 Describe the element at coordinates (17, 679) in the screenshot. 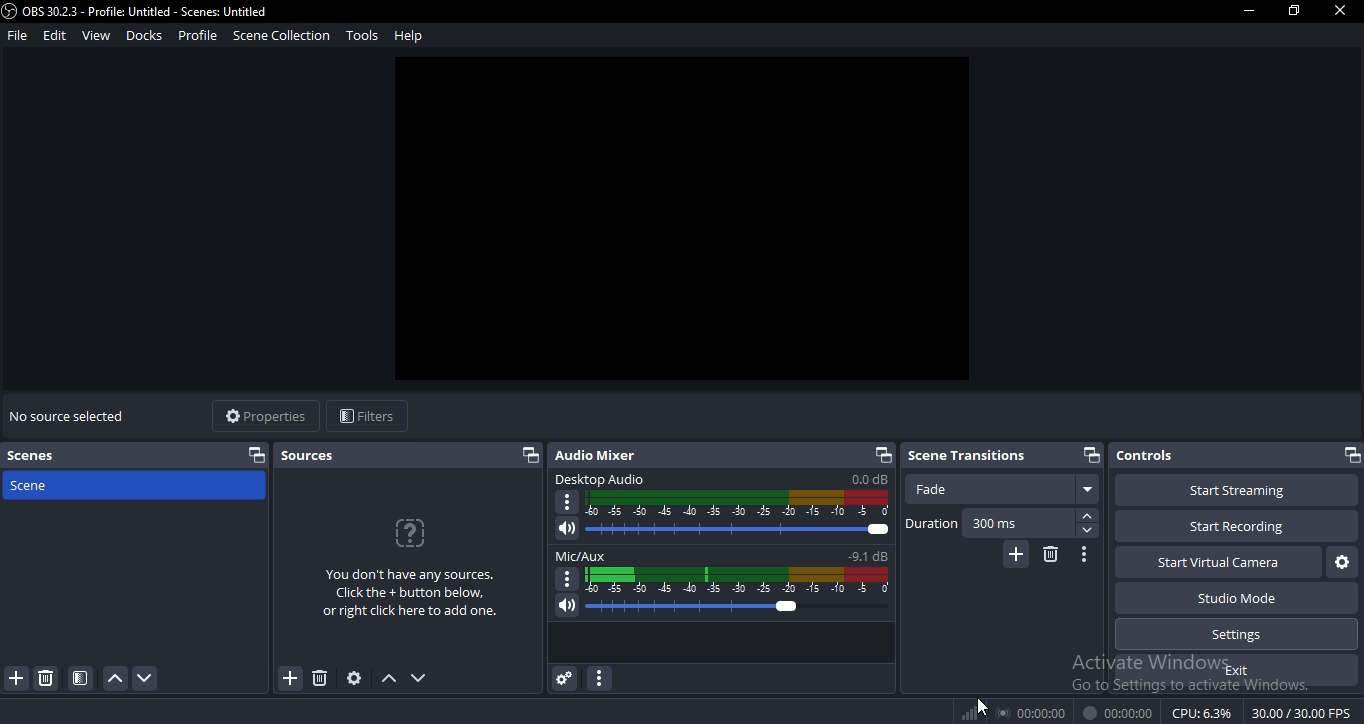

I see `add scene` at that location.